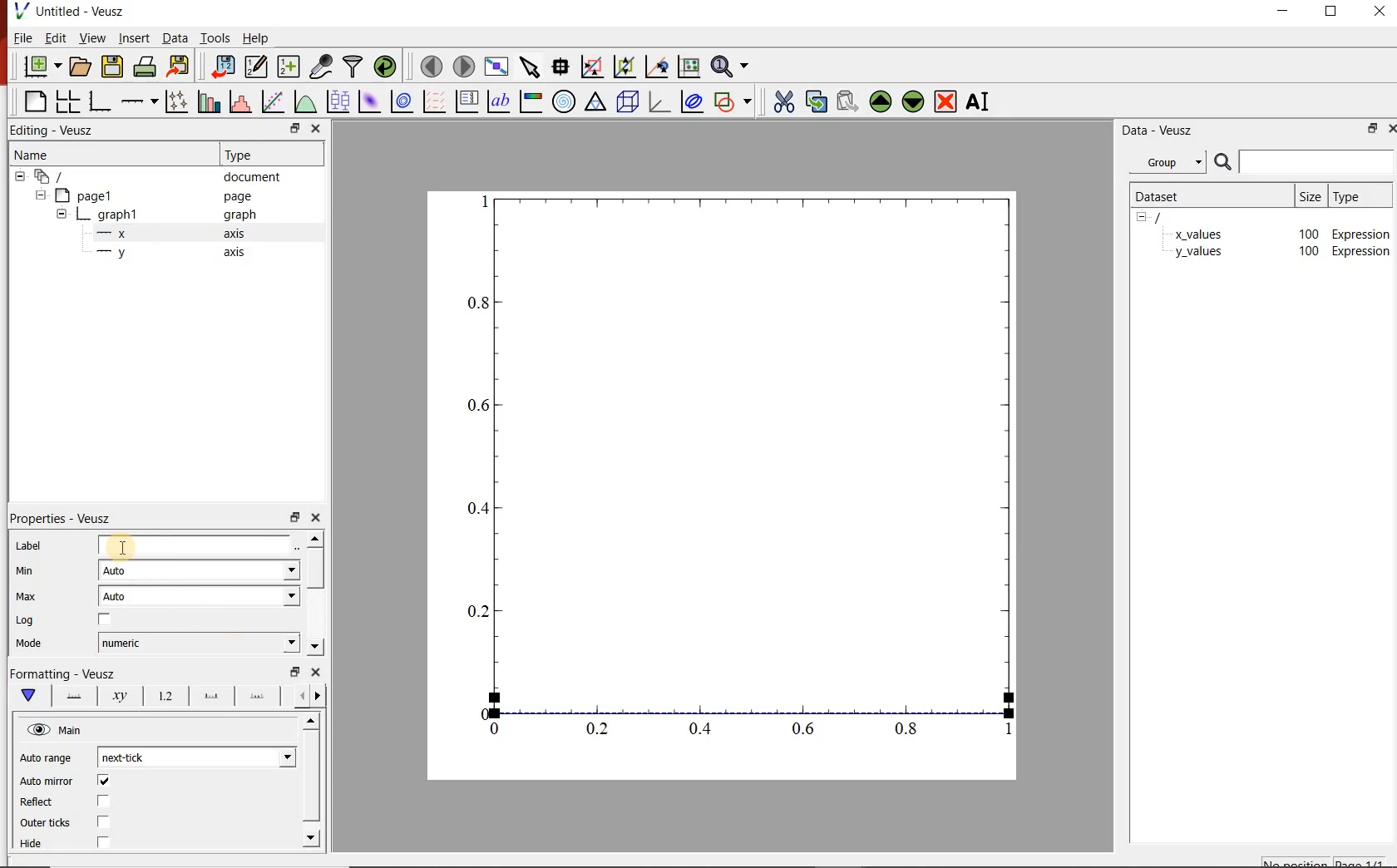 Image resolution: width=1397 pixels, height=868 pixels. Describe the element at coordinates (241, 102) in the screenshot. I see `histogram of a dataset` at that location.